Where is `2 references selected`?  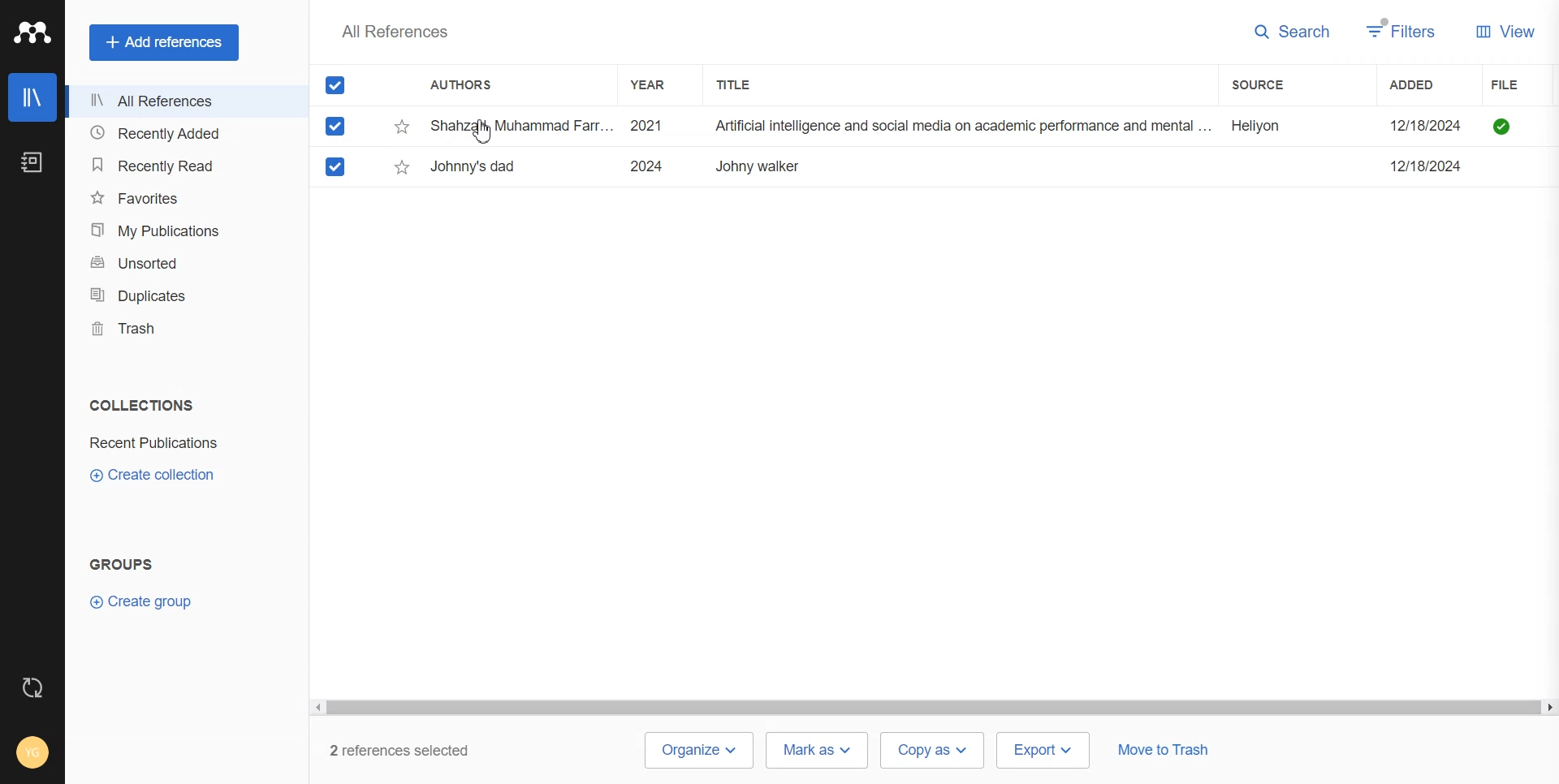 2 references selected is located at coordinates (409, 751).